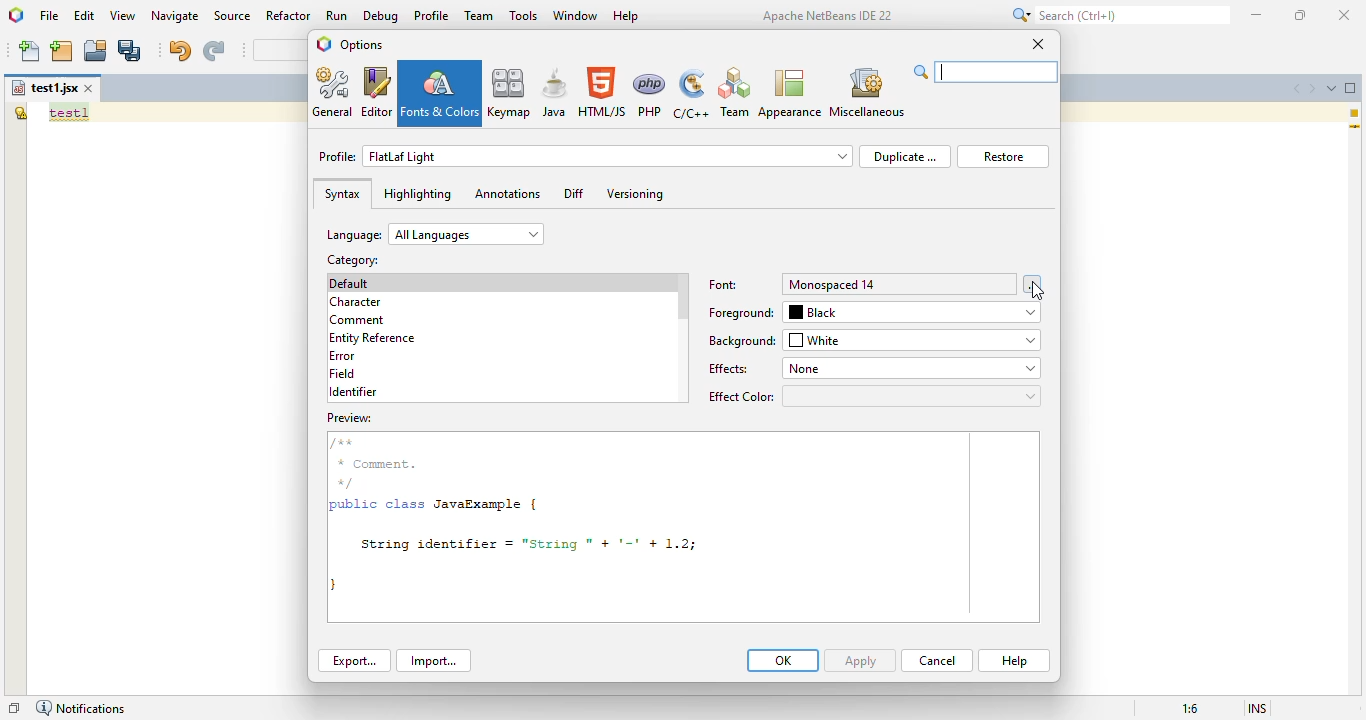 This screenshot has width=1366, height=720. I want to click on search, so click(986, 72).